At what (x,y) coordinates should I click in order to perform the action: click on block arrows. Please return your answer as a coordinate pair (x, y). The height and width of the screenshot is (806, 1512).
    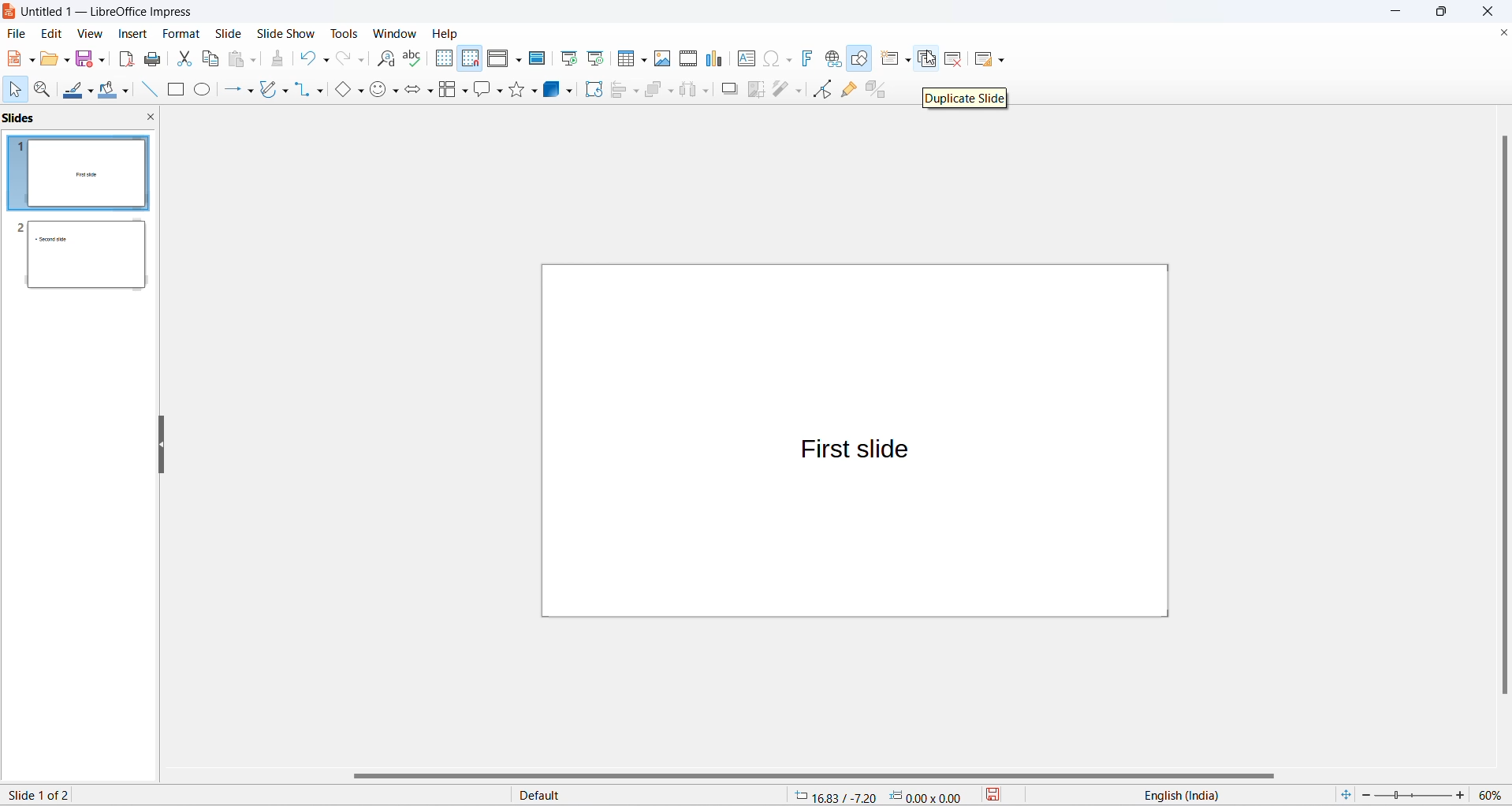
    Looking at the image, I should click on (414, 90).